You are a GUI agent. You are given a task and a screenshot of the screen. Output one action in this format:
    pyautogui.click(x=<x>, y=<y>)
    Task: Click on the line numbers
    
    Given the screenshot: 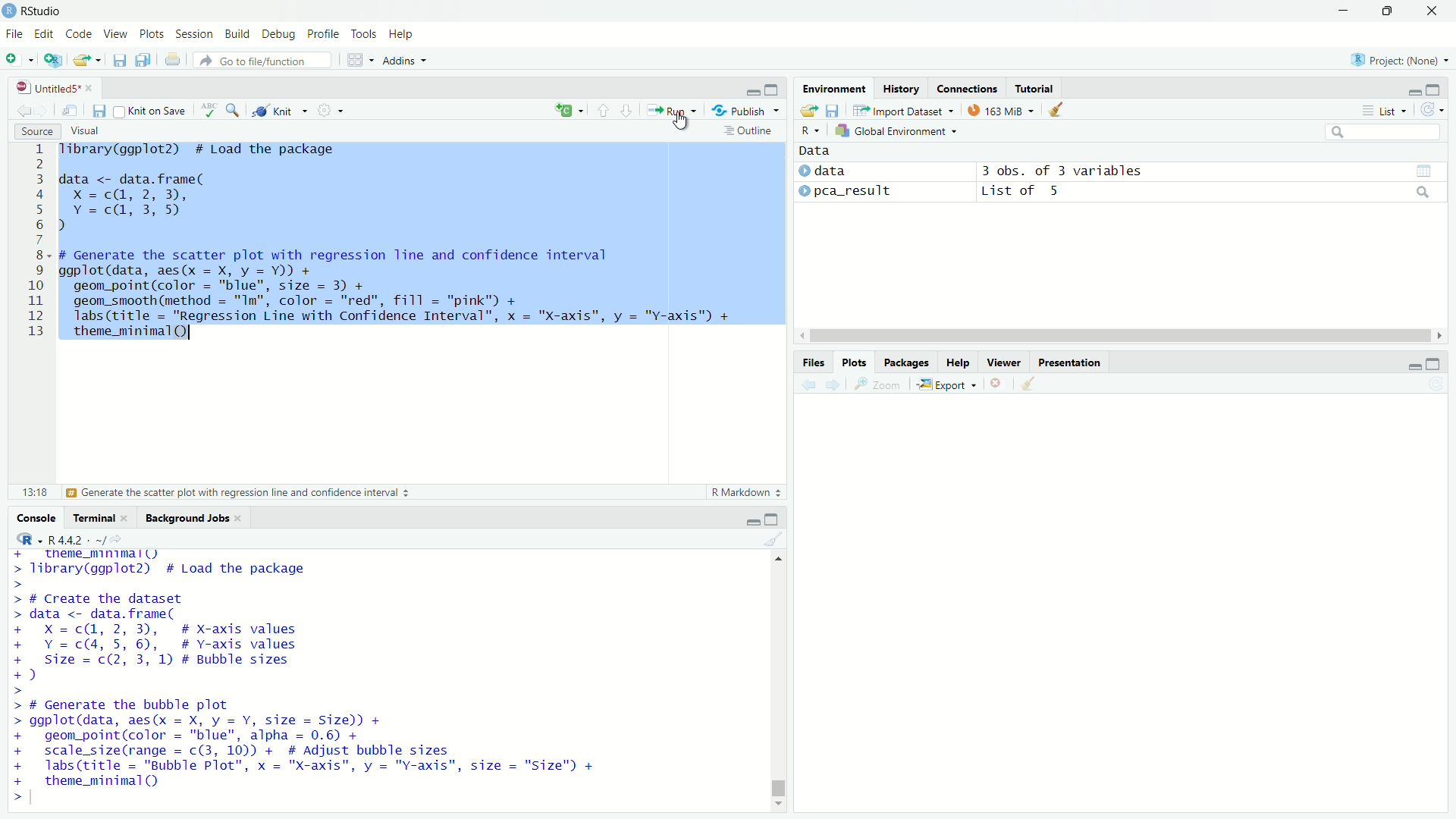 What is the action you would take?
    pyautogui.click(x=34, y=242)
    